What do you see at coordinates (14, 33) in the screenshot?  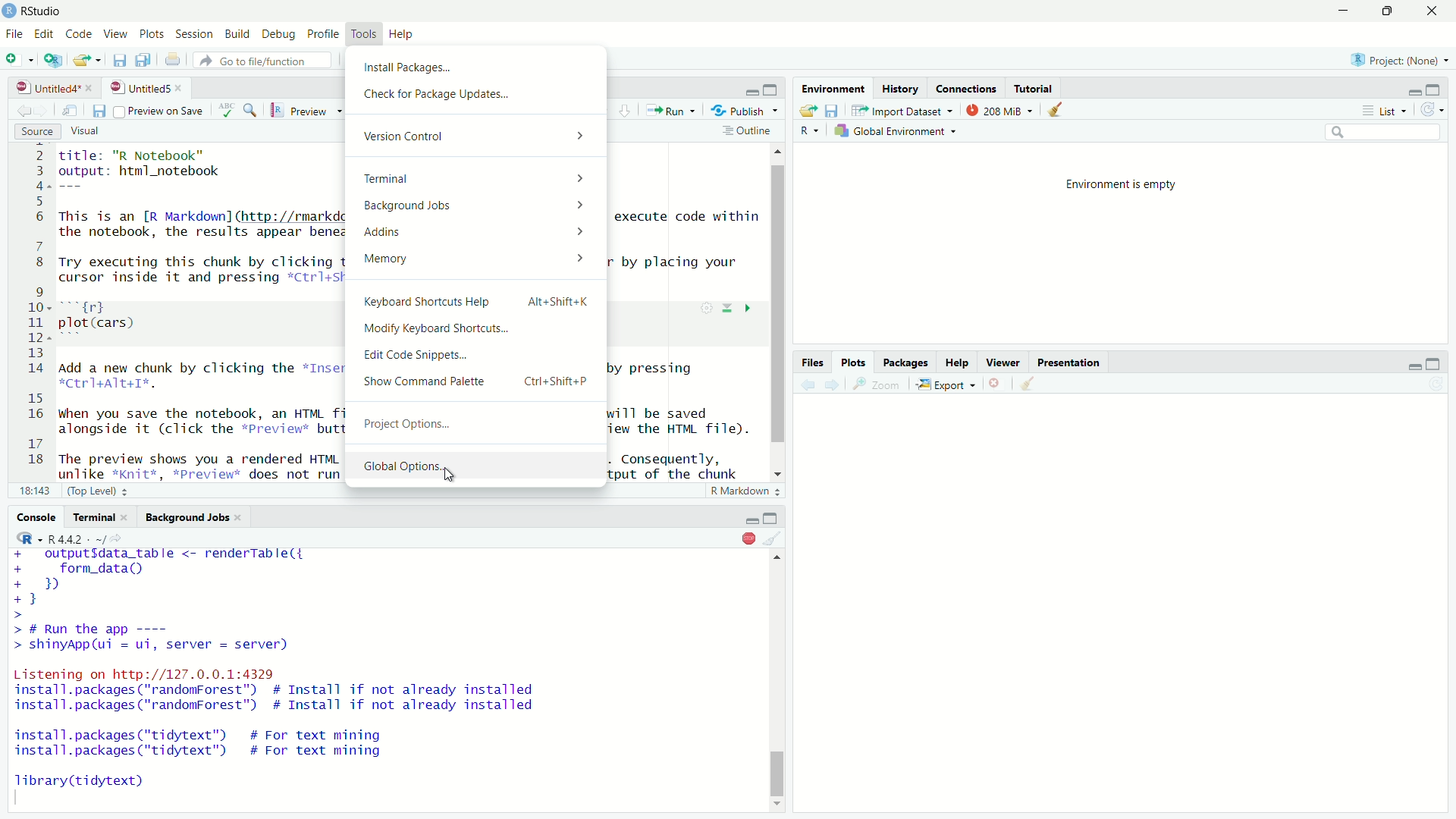 I see `File` at bounding box center [14, 33].